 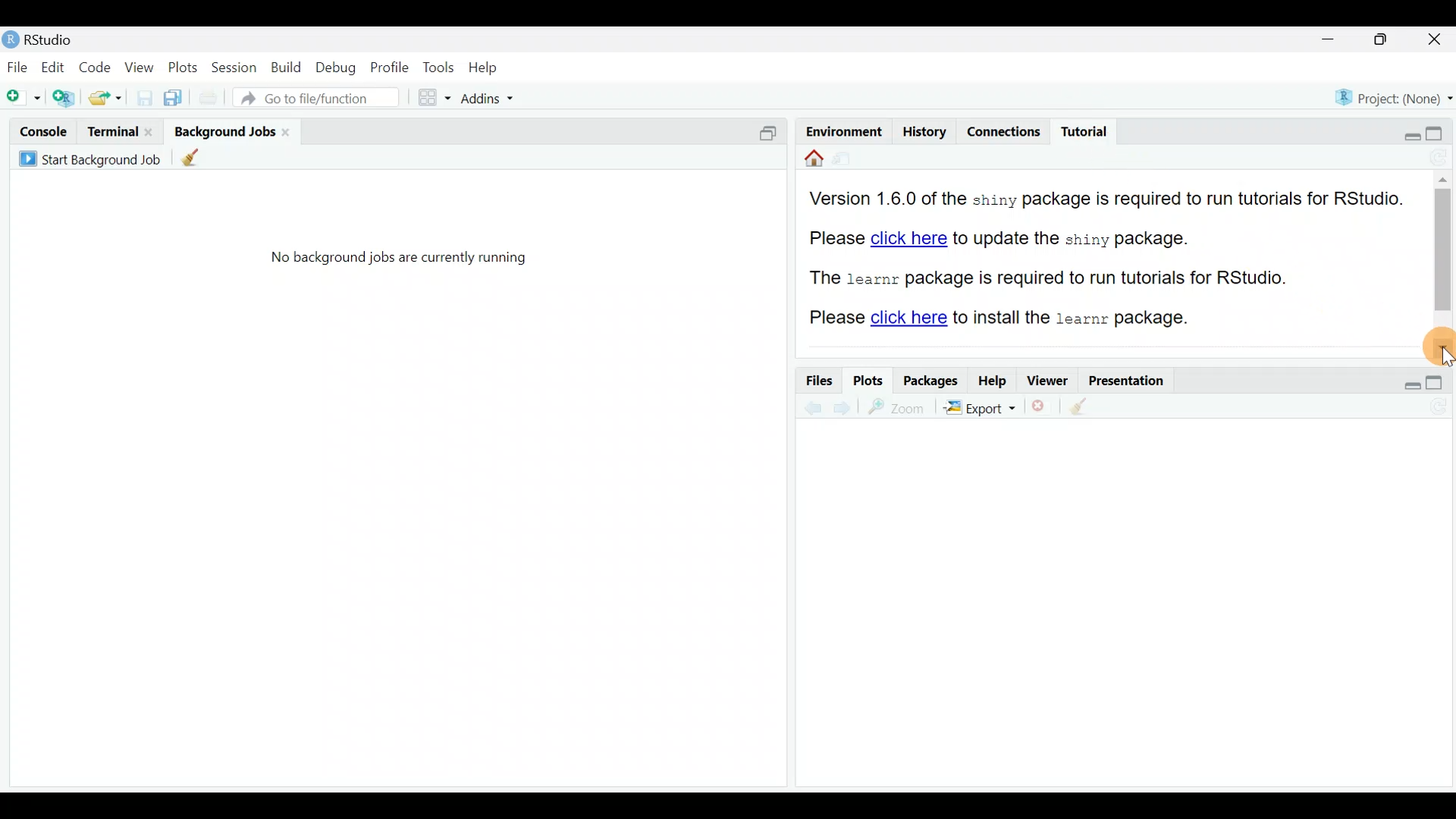 What do you see at coordinates (1435, 158) in the screenshot?
I see `Refresh tutorial` at bounding box center [1435, 158].